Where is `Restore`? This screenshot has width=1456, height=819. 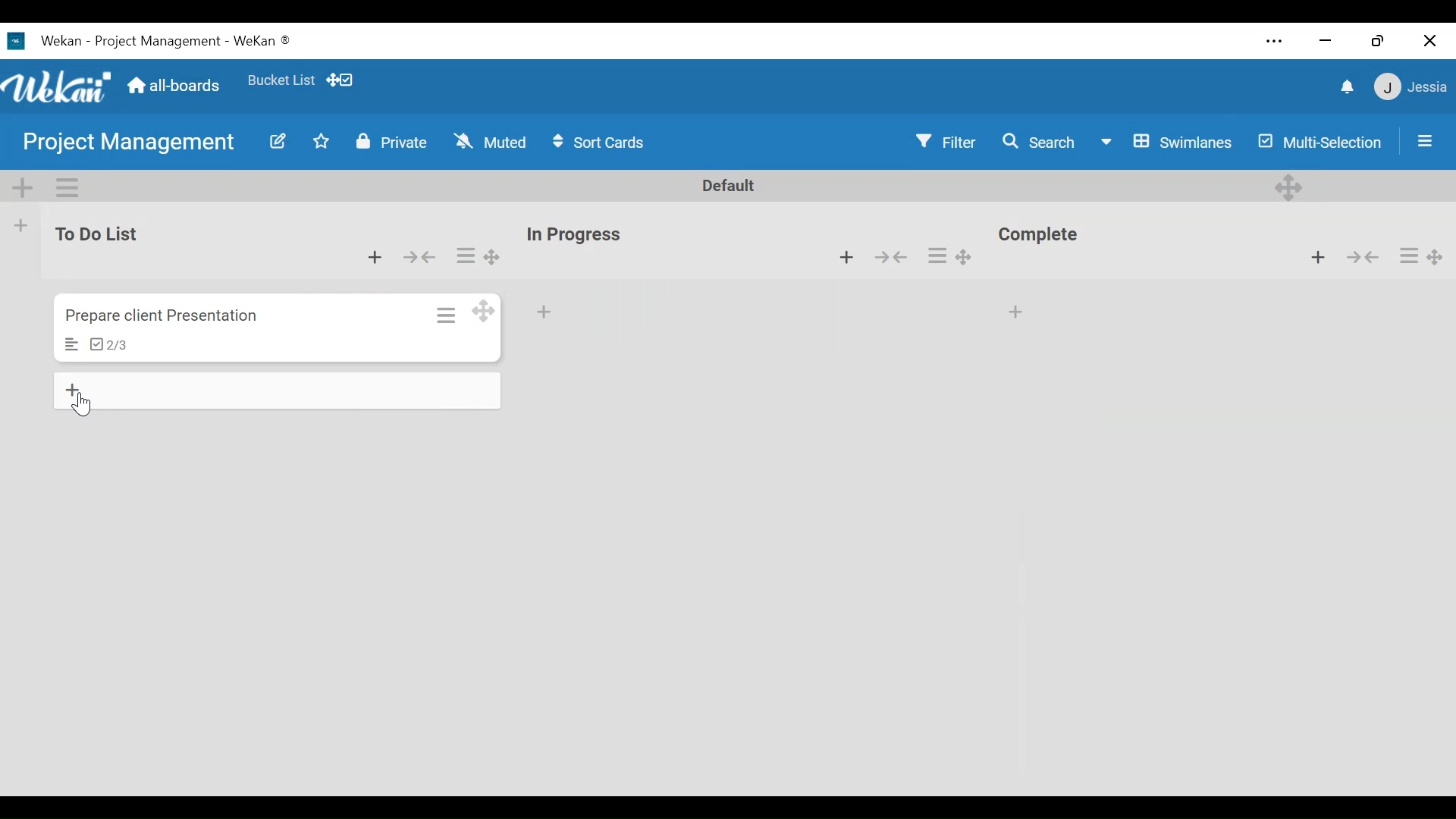
Restore is located at coordinates (1375, 36).